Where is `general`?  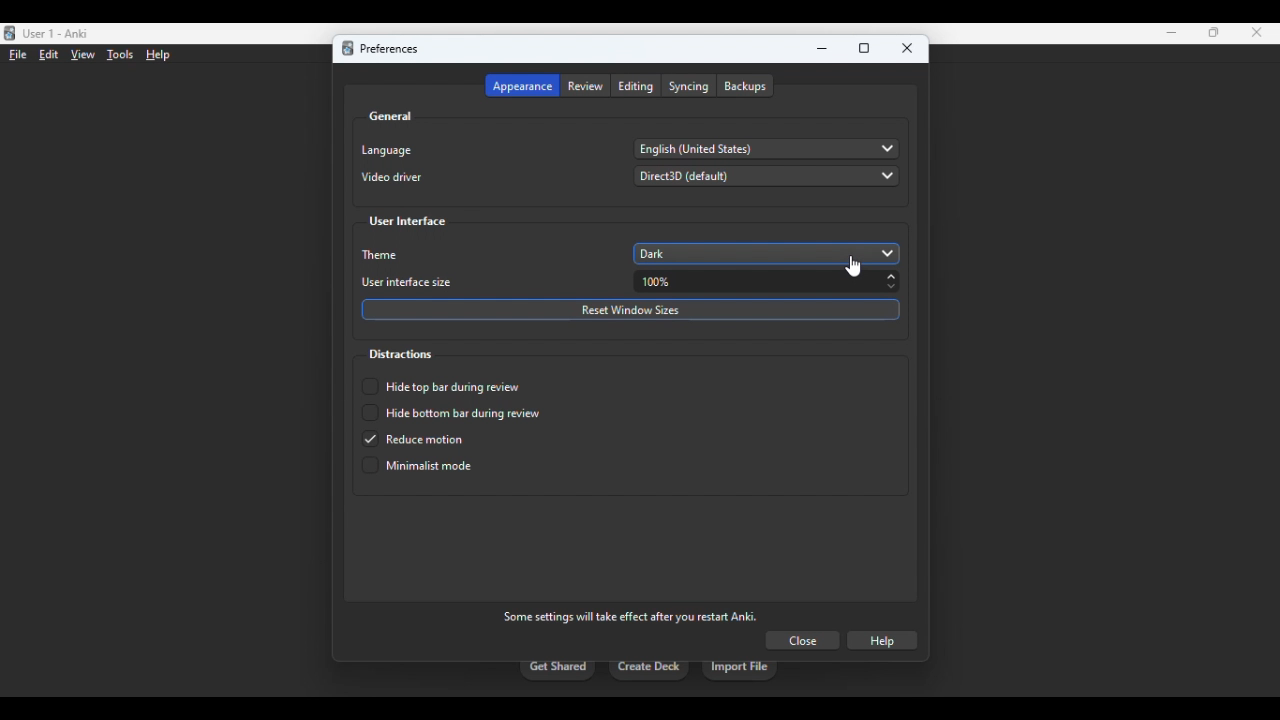
general is located at coordinates (390, 116).